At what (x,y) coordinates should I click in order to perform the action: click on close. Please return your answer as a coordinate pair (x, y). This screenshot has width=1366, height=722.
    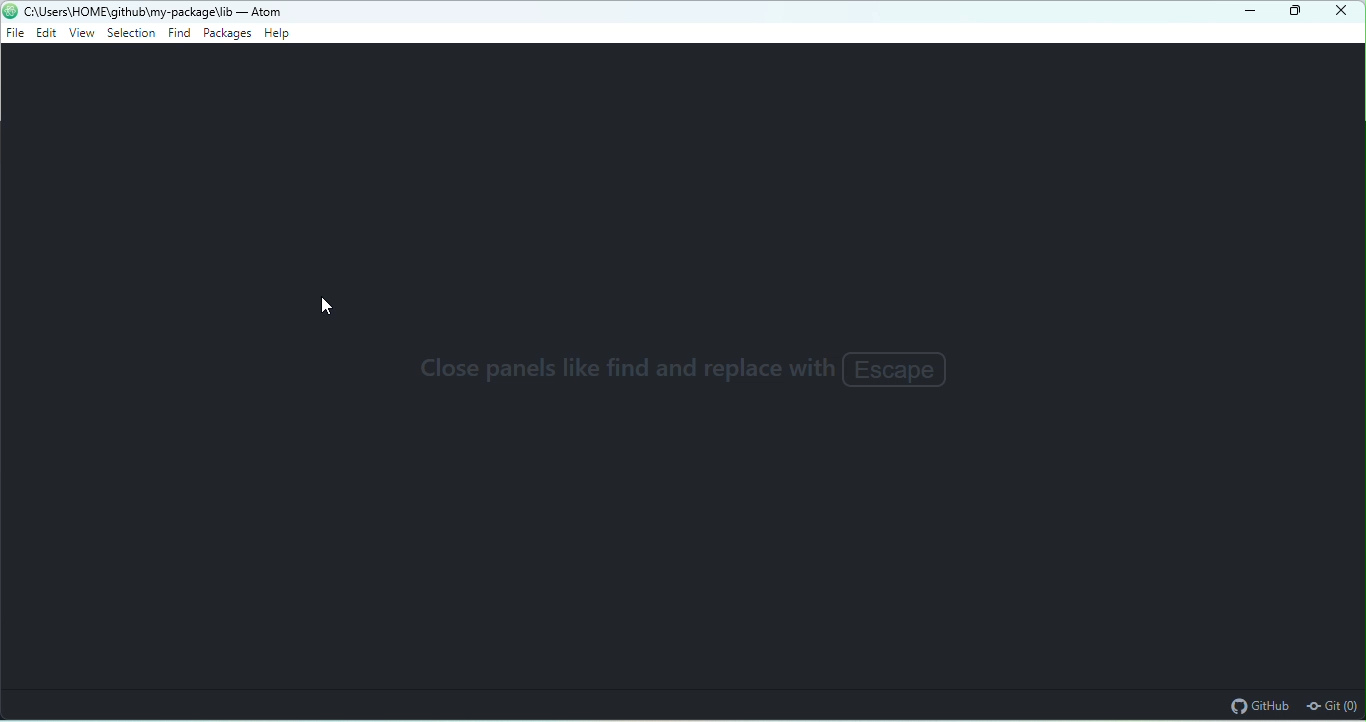
    Looking at the image, I should click on (1340, 12).